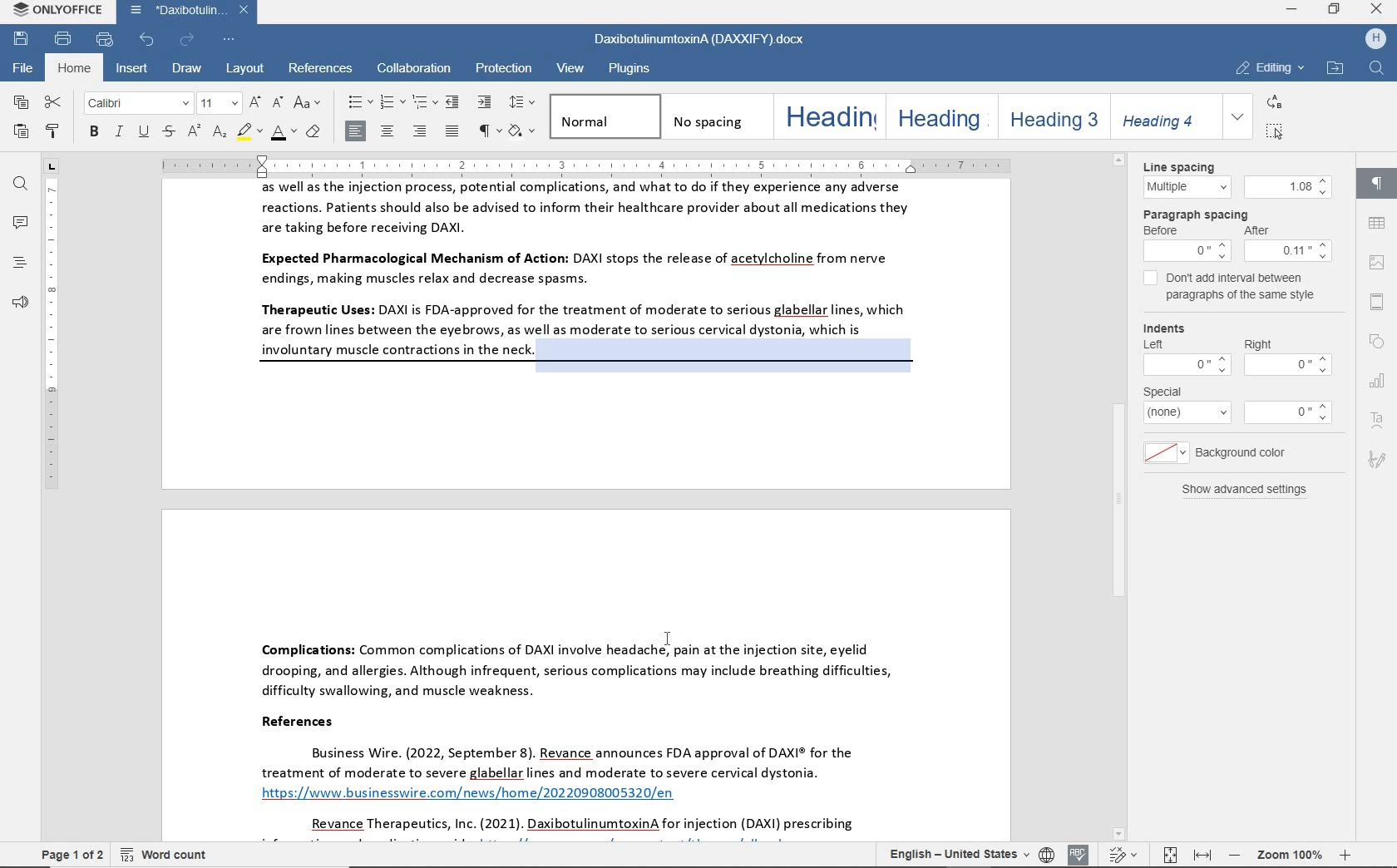  What do you see at coordinates (307, 102) in the screenshot?
I see `change case` at bounding box center [307, 102].